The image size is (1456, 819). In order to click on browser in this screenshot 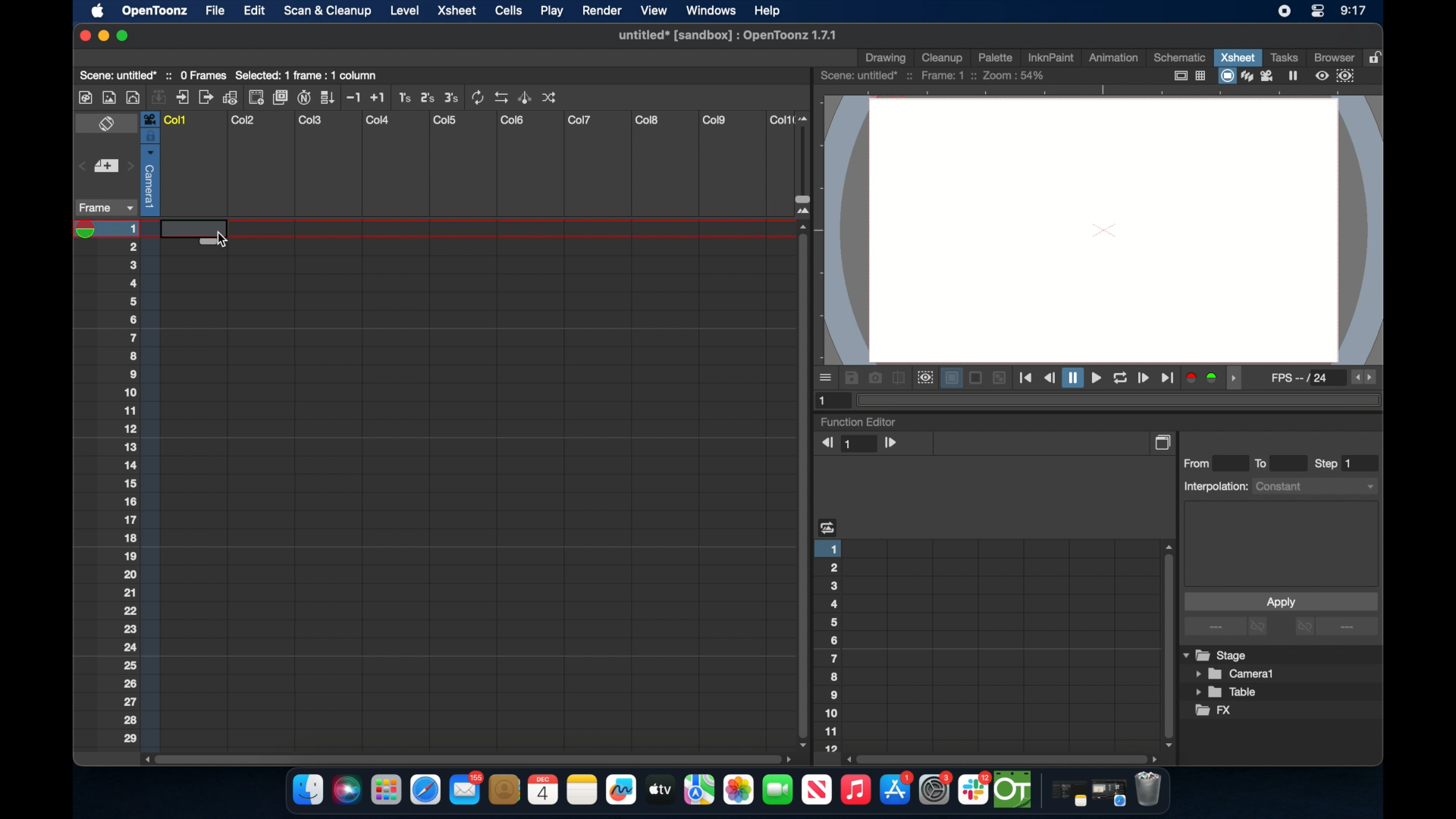, I will do `click(1332, 56)`.